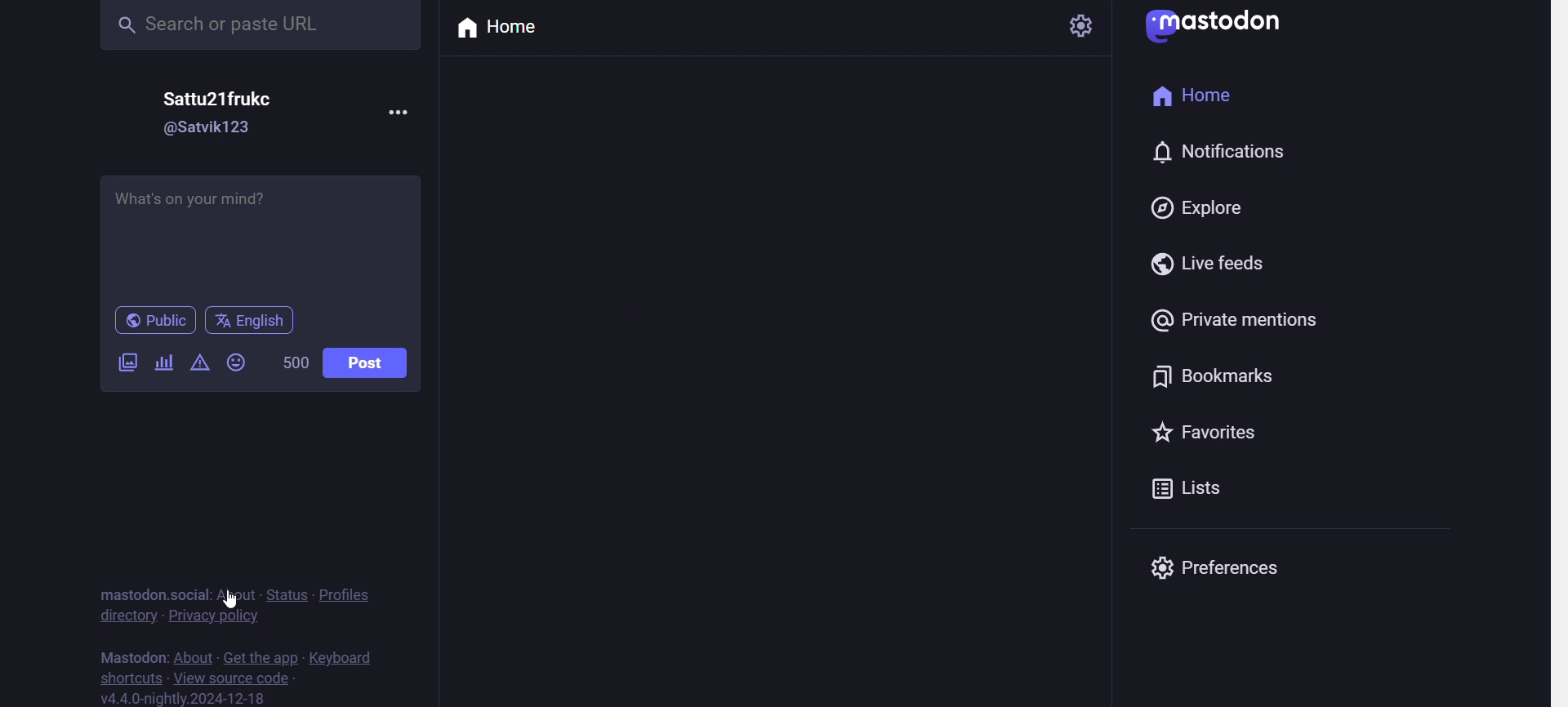 This screenshot has width=1568, height=707. I want to click on home, so click(500, 29).